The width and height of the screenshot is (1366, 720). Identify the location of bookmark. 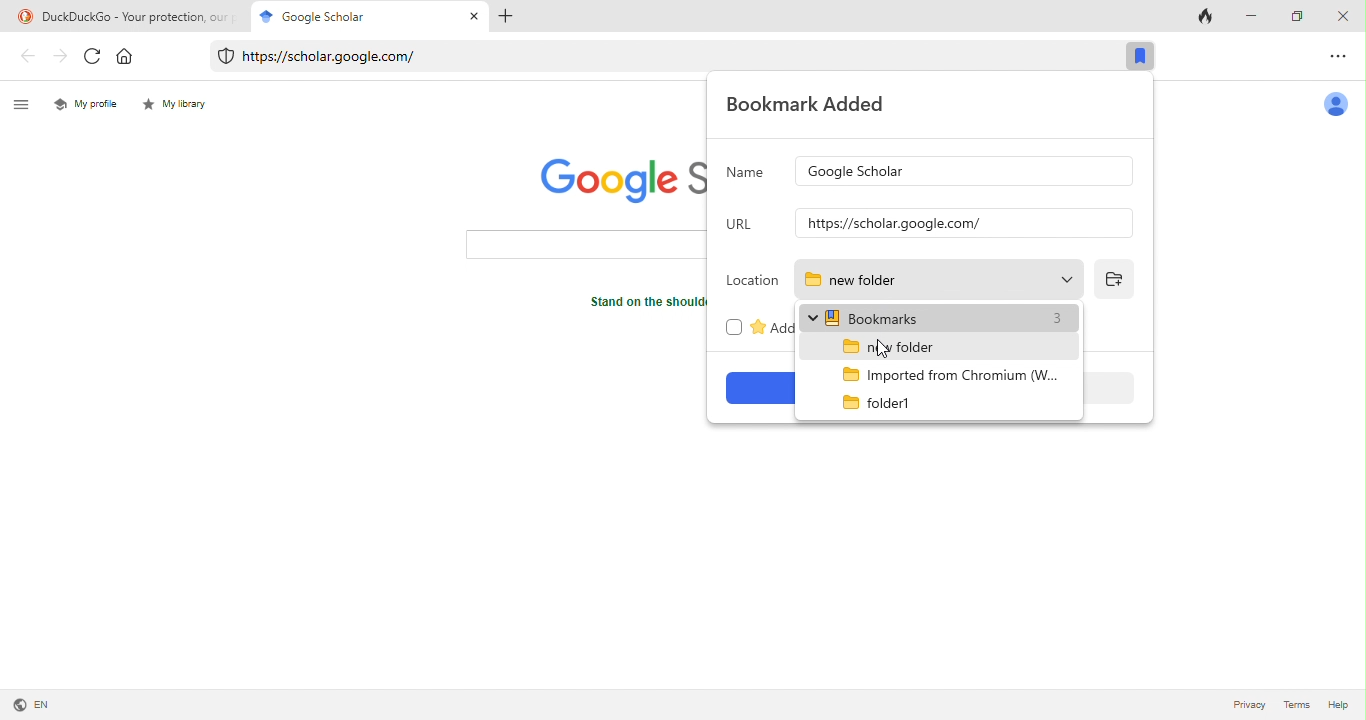
(1140, 57).